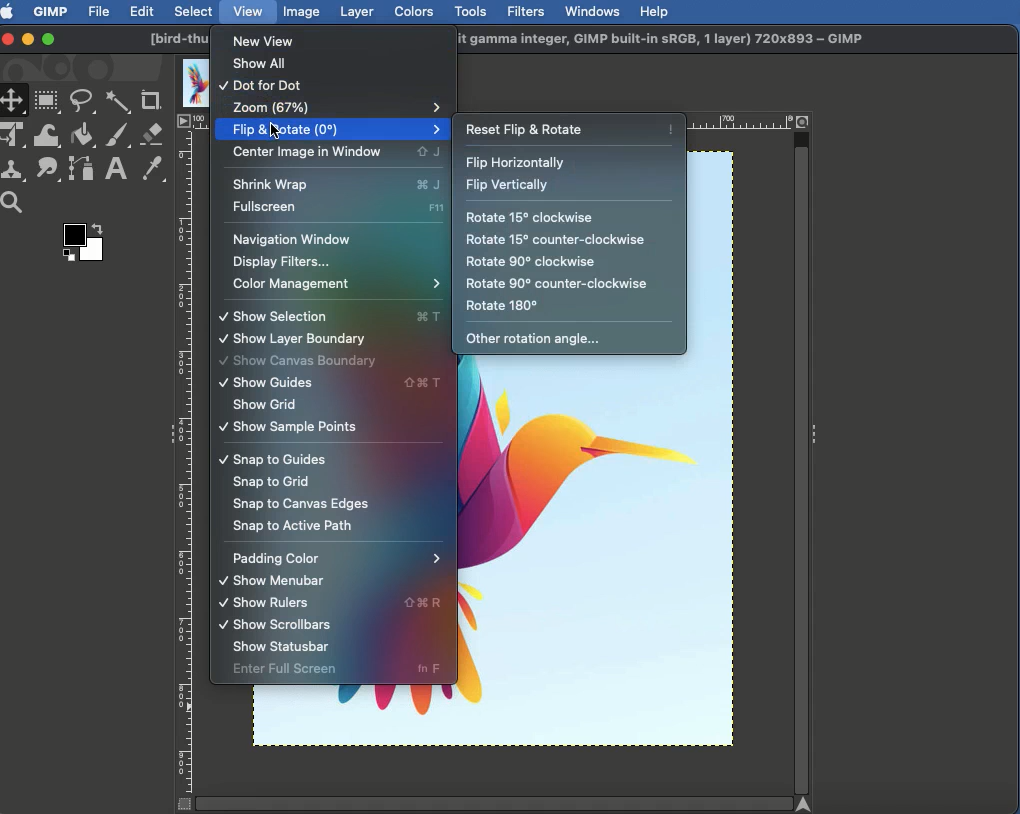 The width and height of the screenshot is (1020, 814). What do you see at coordinates (609, 559) in the screenshot?
I see `Image` at bounding box center [609, 559].